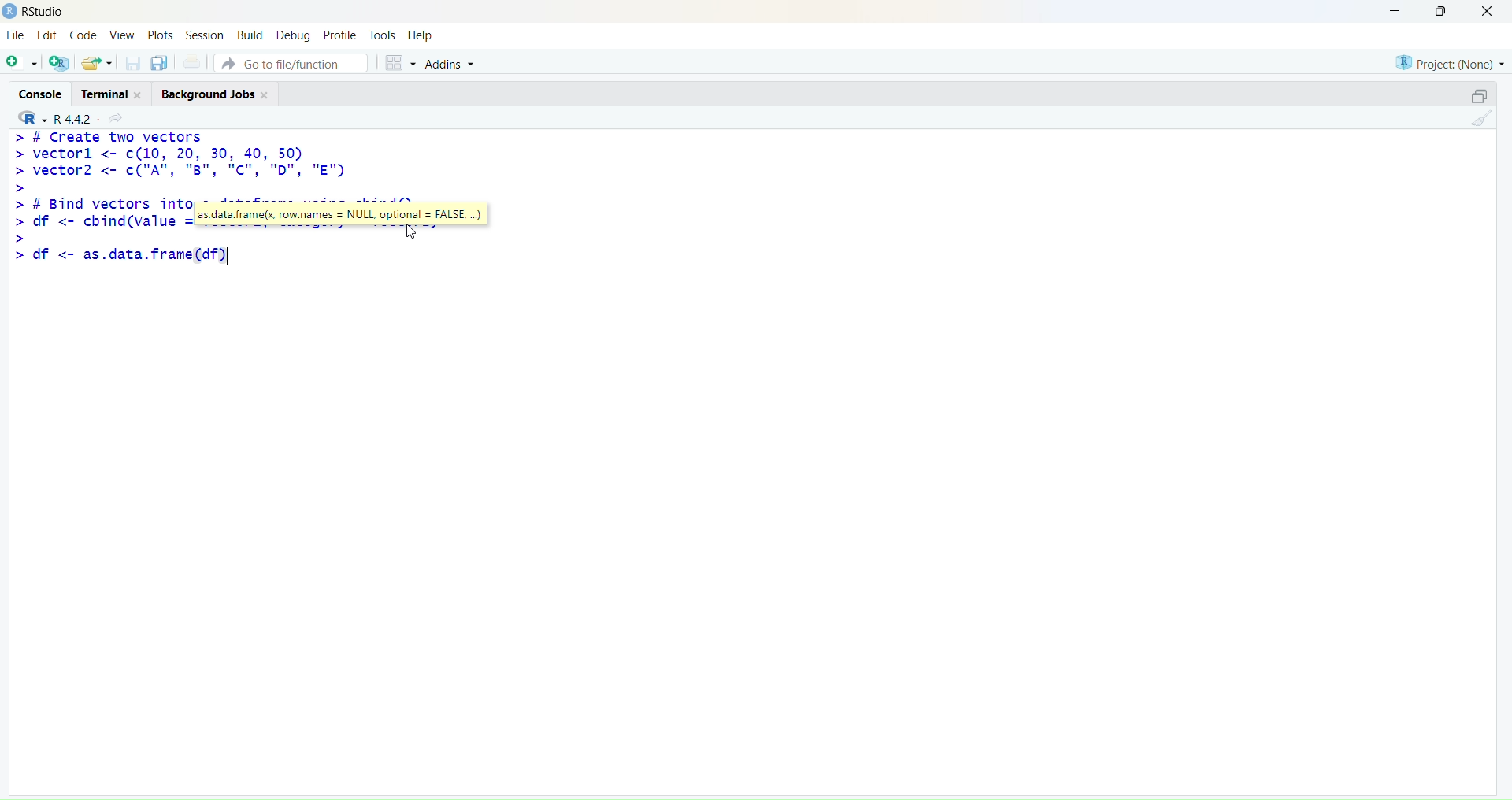 The image size is (1512, 800). What do you see at coordinates (97, 64) in the screenshot?
I see `open existing document` at bounding box center [97, 64].